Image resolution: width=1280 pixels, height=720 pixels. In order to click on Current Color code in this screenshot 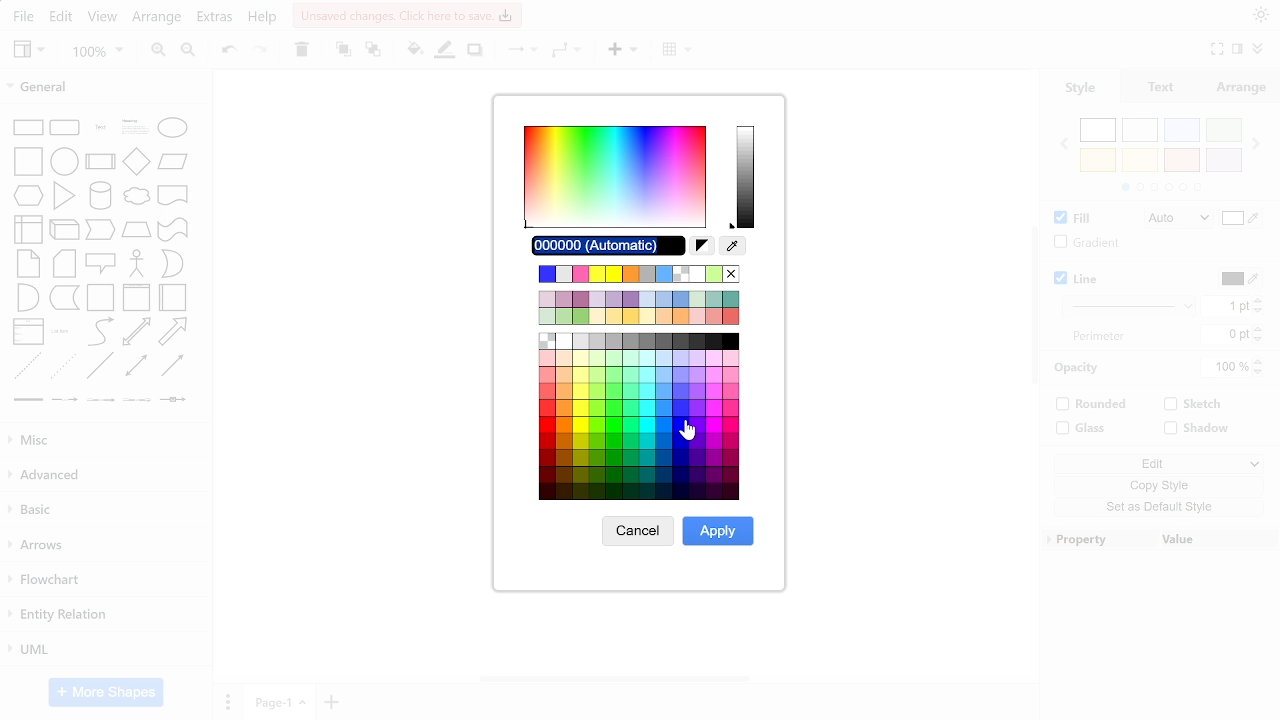, I will do `click(609, 246)`.